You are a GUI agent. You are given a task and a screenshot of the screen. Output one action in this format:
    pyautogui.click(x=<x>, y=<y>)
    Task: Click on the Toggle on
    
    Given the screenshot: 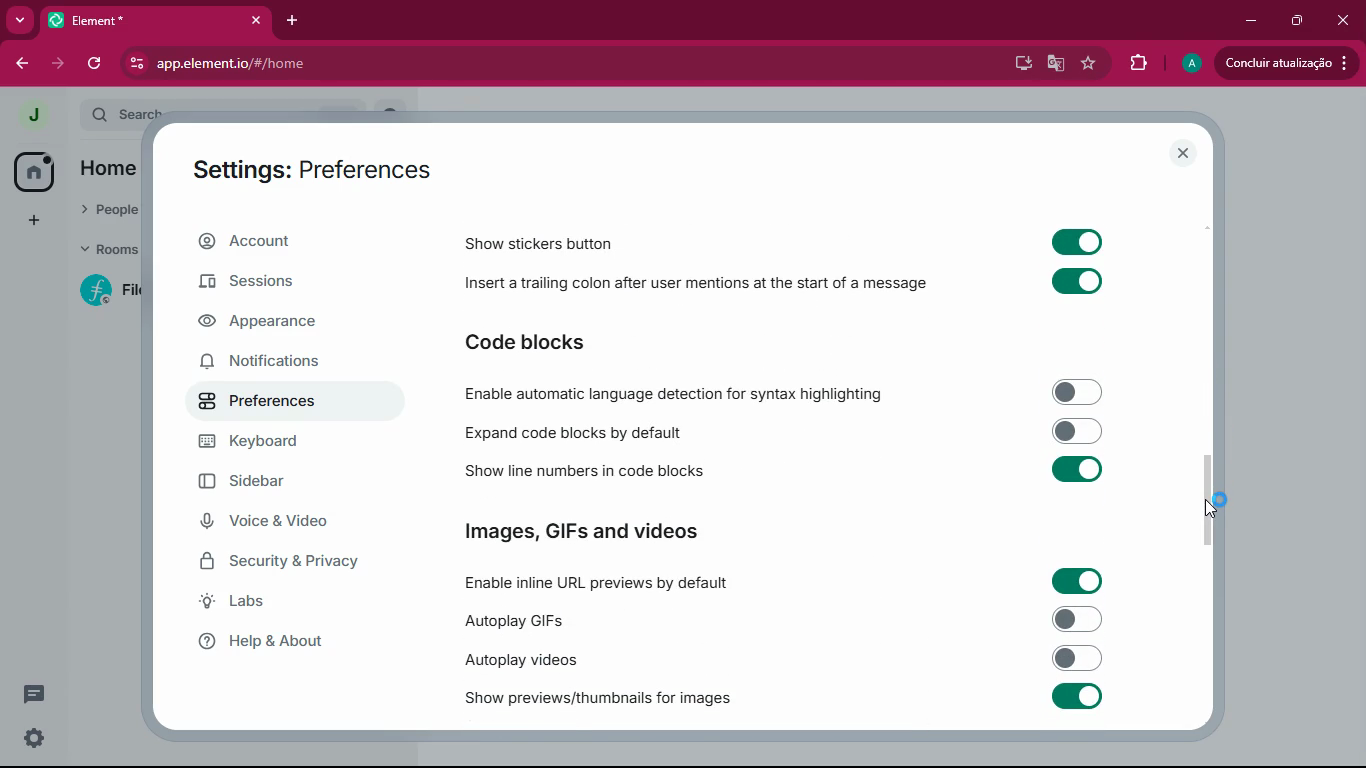 What is the action you would take?
    pyautogui.click(x=1077, y=281)
    